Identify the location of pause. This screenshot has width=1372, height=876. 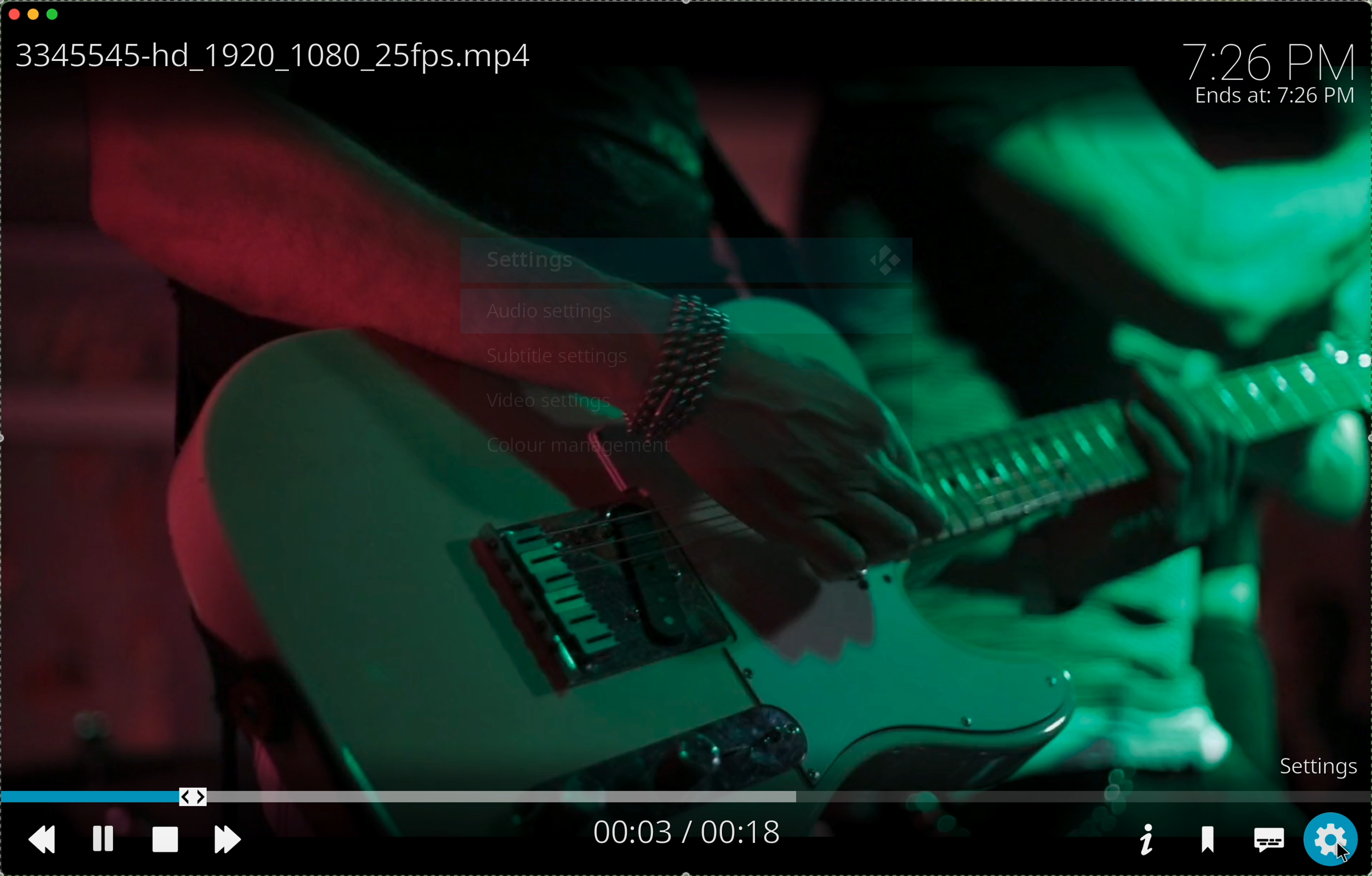
(102, 837).